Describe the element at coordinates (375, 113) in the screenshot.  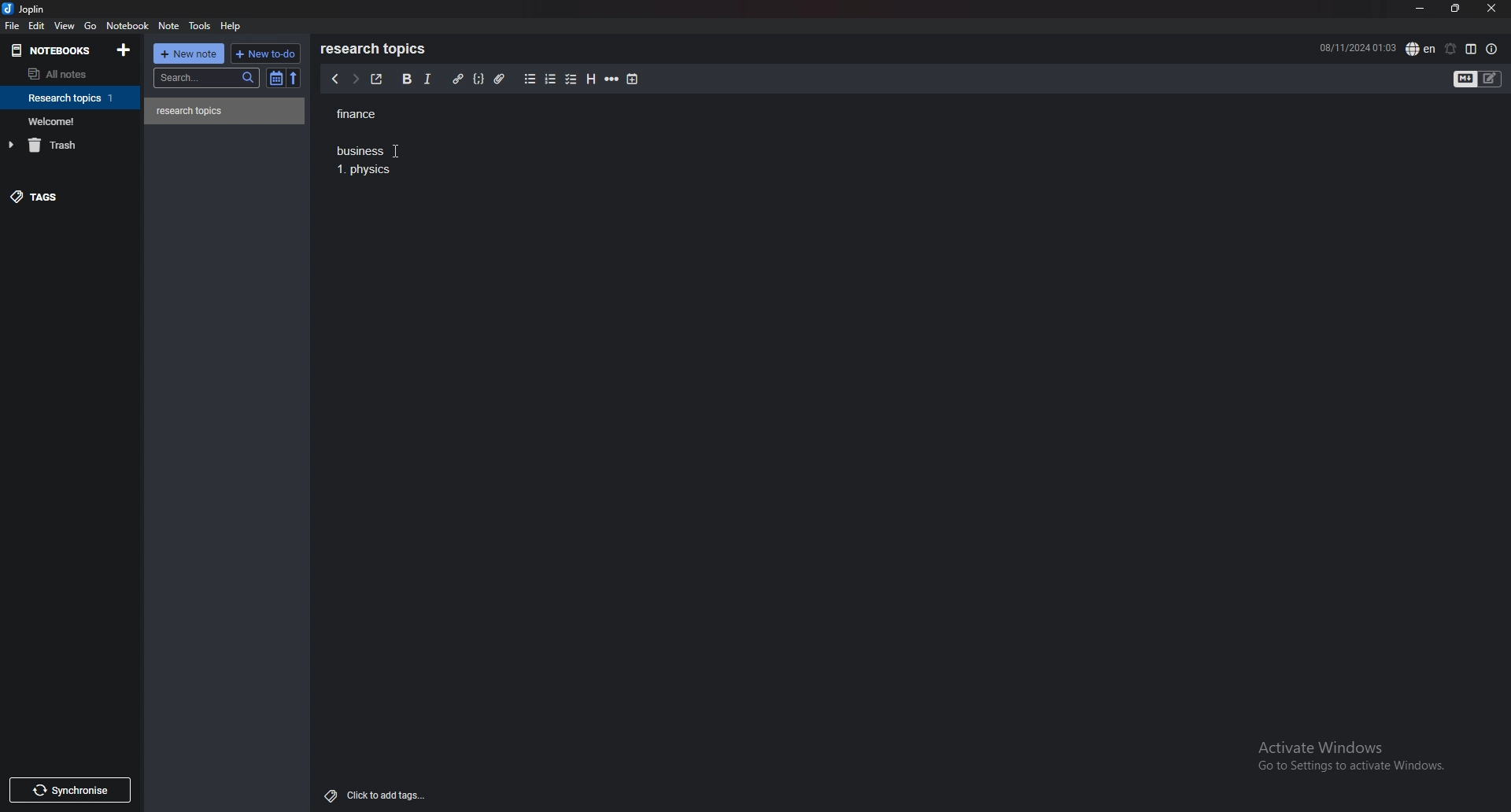
I see ` finance` at that location.